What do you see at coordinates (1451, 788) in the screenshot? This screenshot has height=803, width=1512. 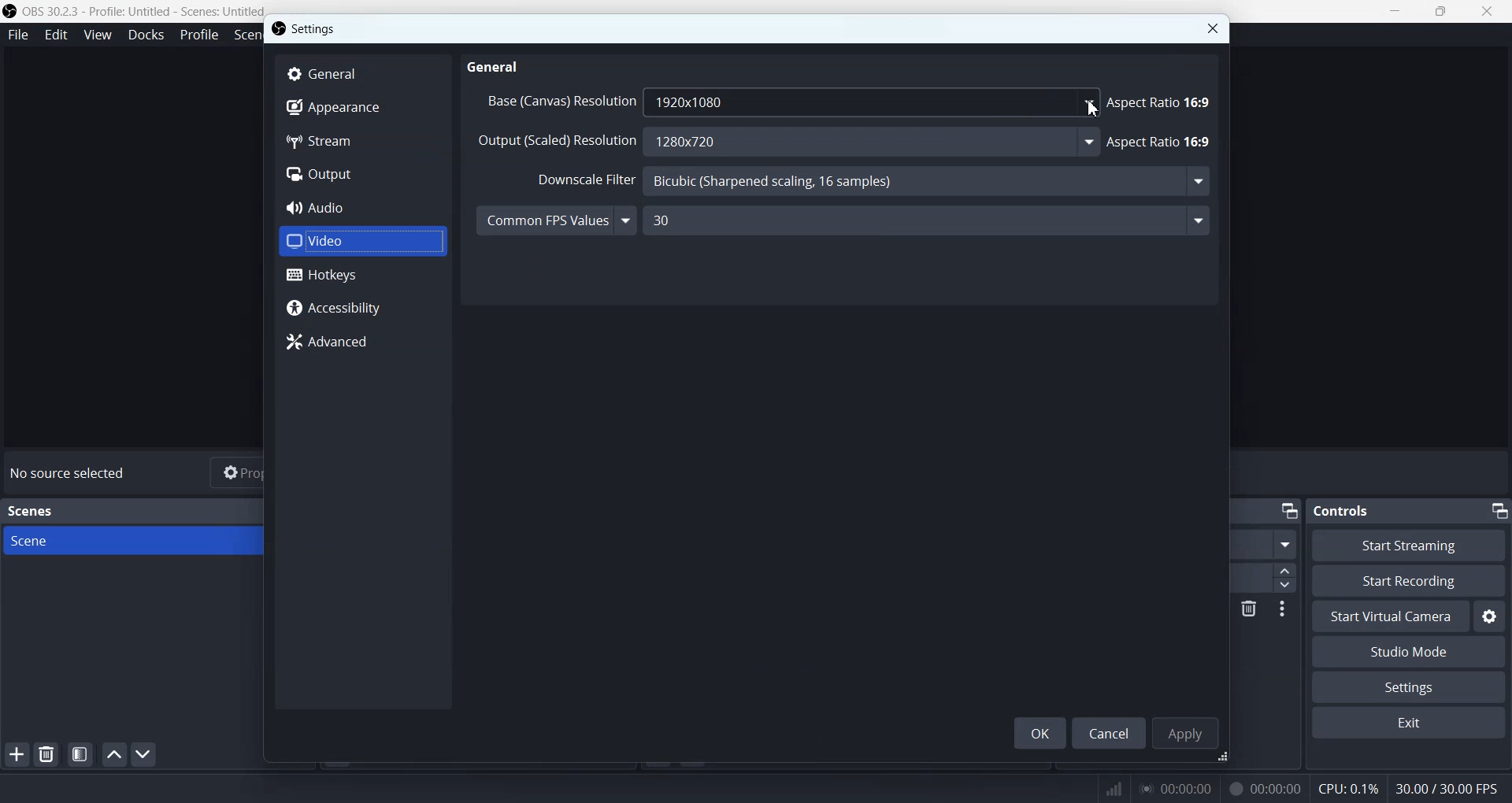 I see `30.00 / 30.00 FPS` at bounding box center [1451, 788].